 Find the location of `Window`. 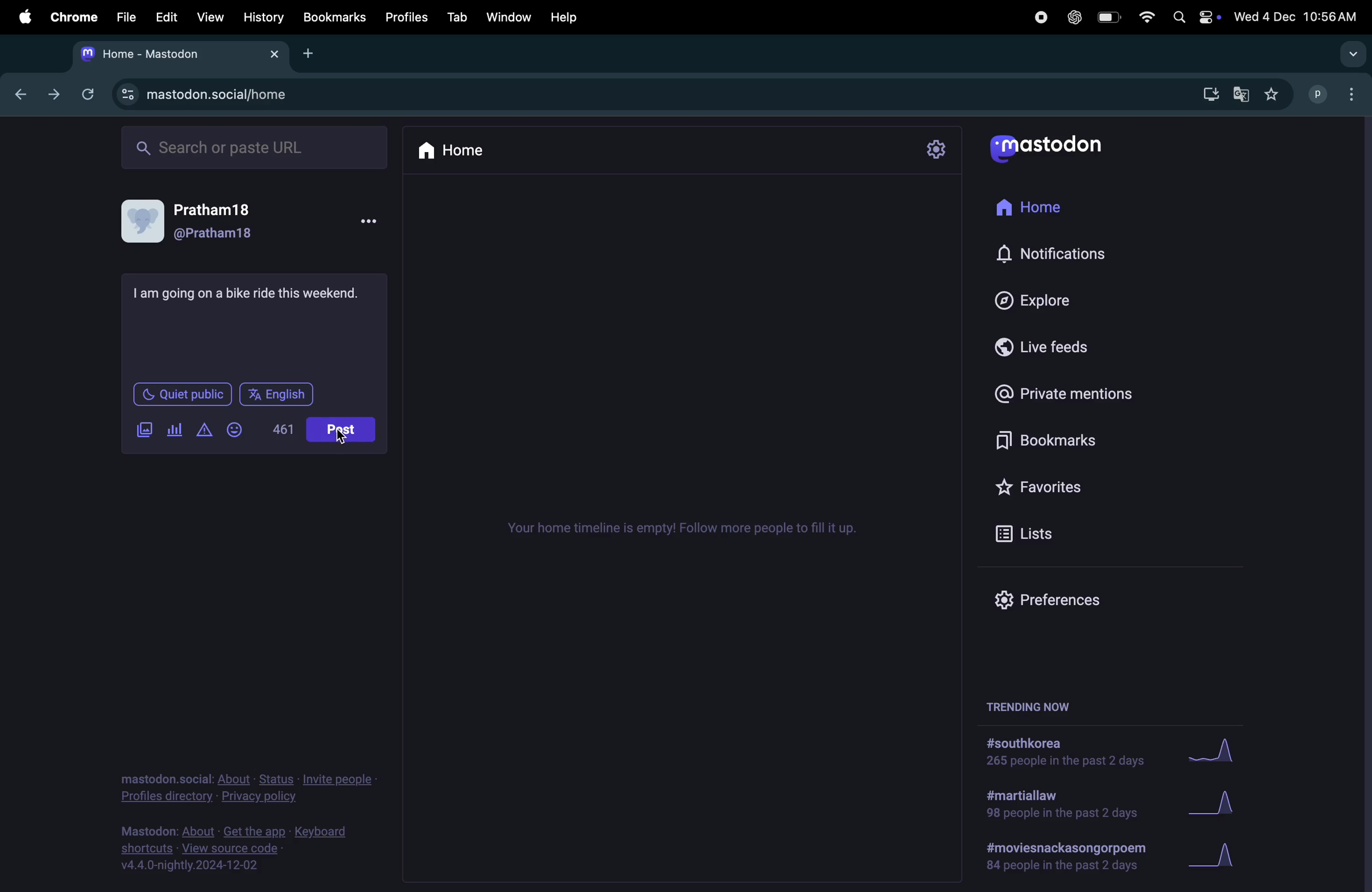

Window is located at coordinates (507, 16).